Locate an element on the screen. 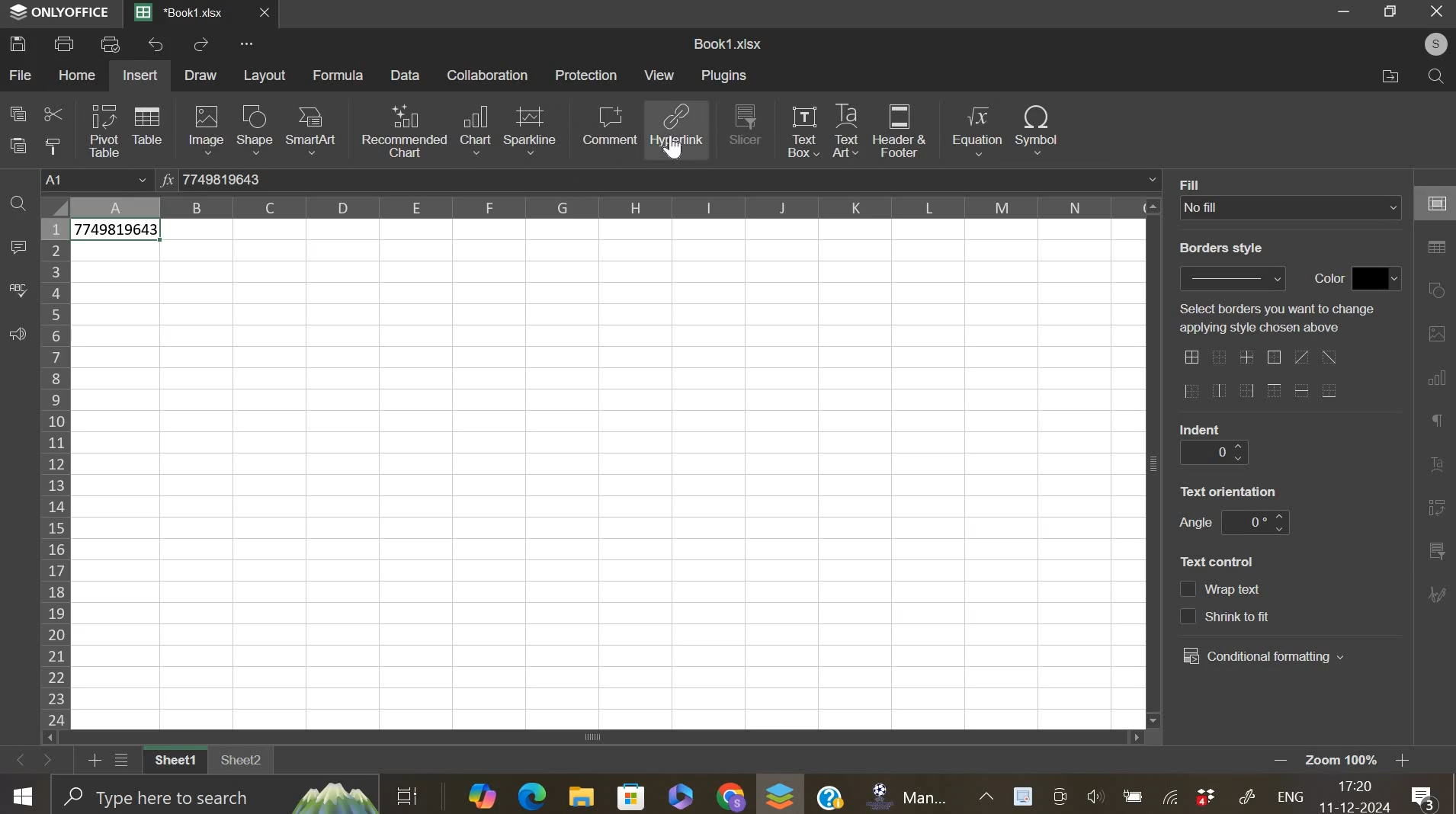 The height and width of the screenshot is (814, 1456). color is located at coordinates (1377, 278).